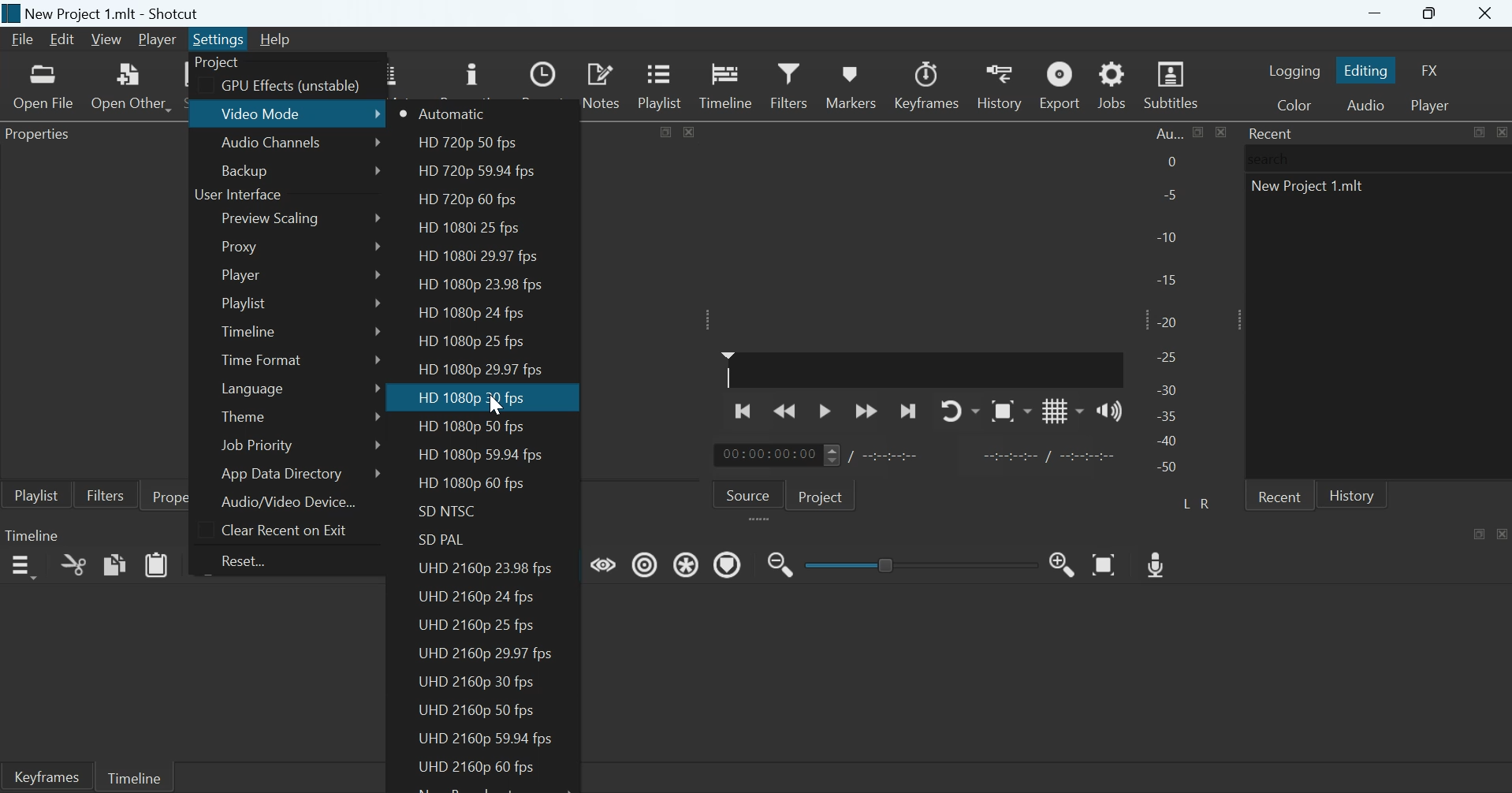 The width and height of the screenshot is (1512, 793). Describe the element at coordinates (255, 445) in the screenshot. I see `Job priority` at that location.